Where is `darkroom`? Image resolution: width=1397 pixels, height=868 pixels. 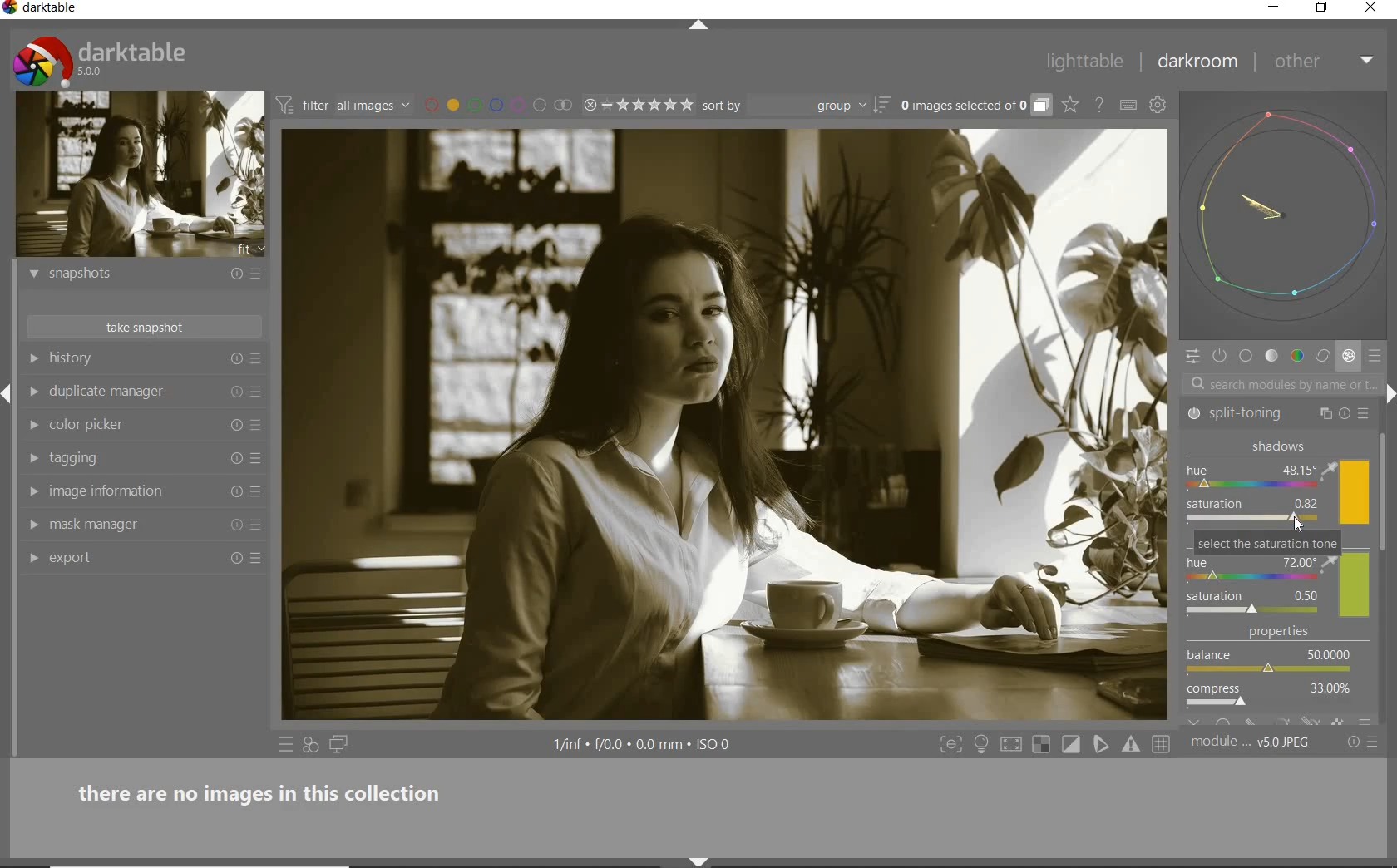
darkroom is located at coordinates (1198, 65).